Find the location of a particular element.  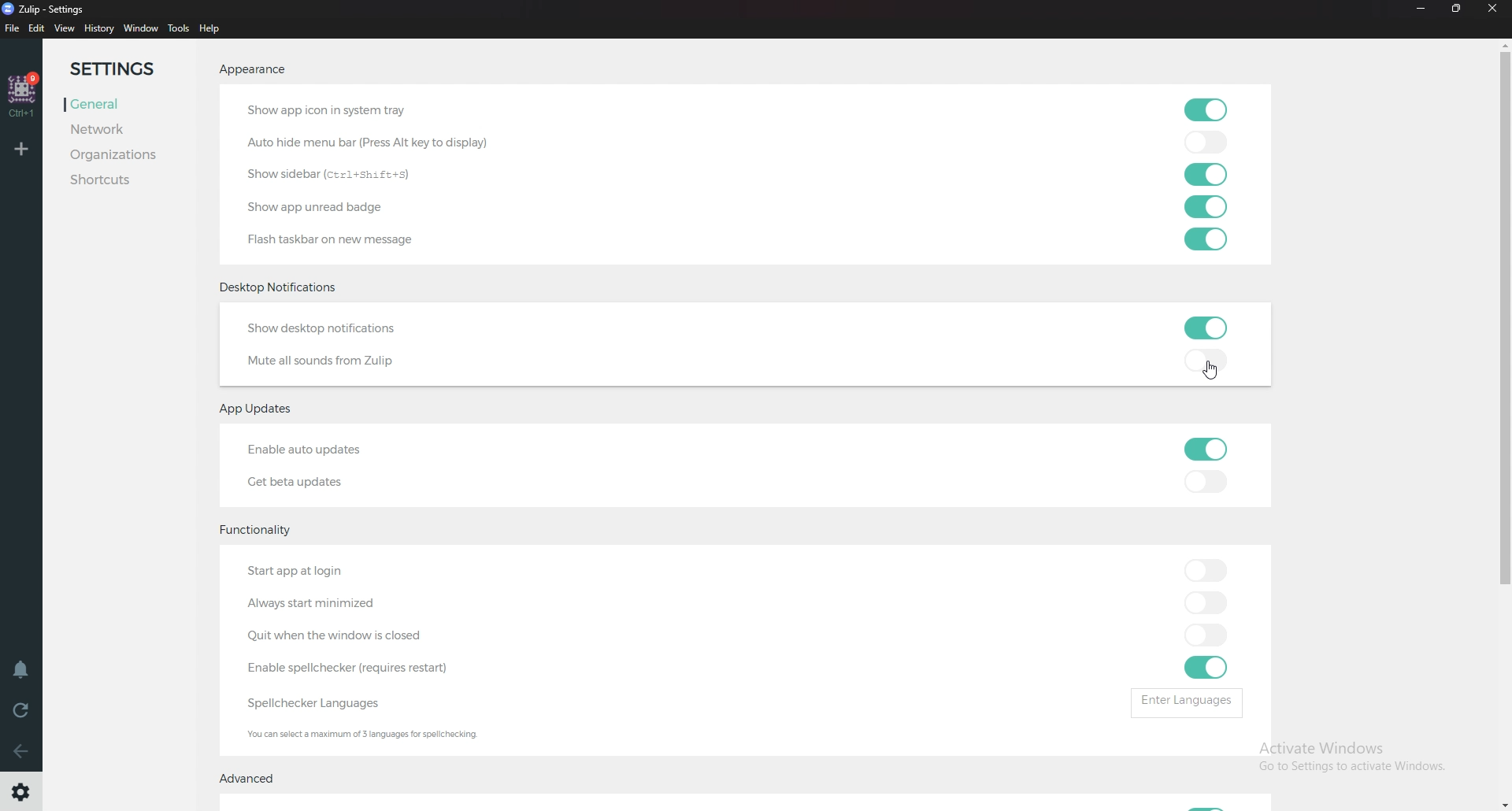

scroll bar is located at coordinates (1497, 425).